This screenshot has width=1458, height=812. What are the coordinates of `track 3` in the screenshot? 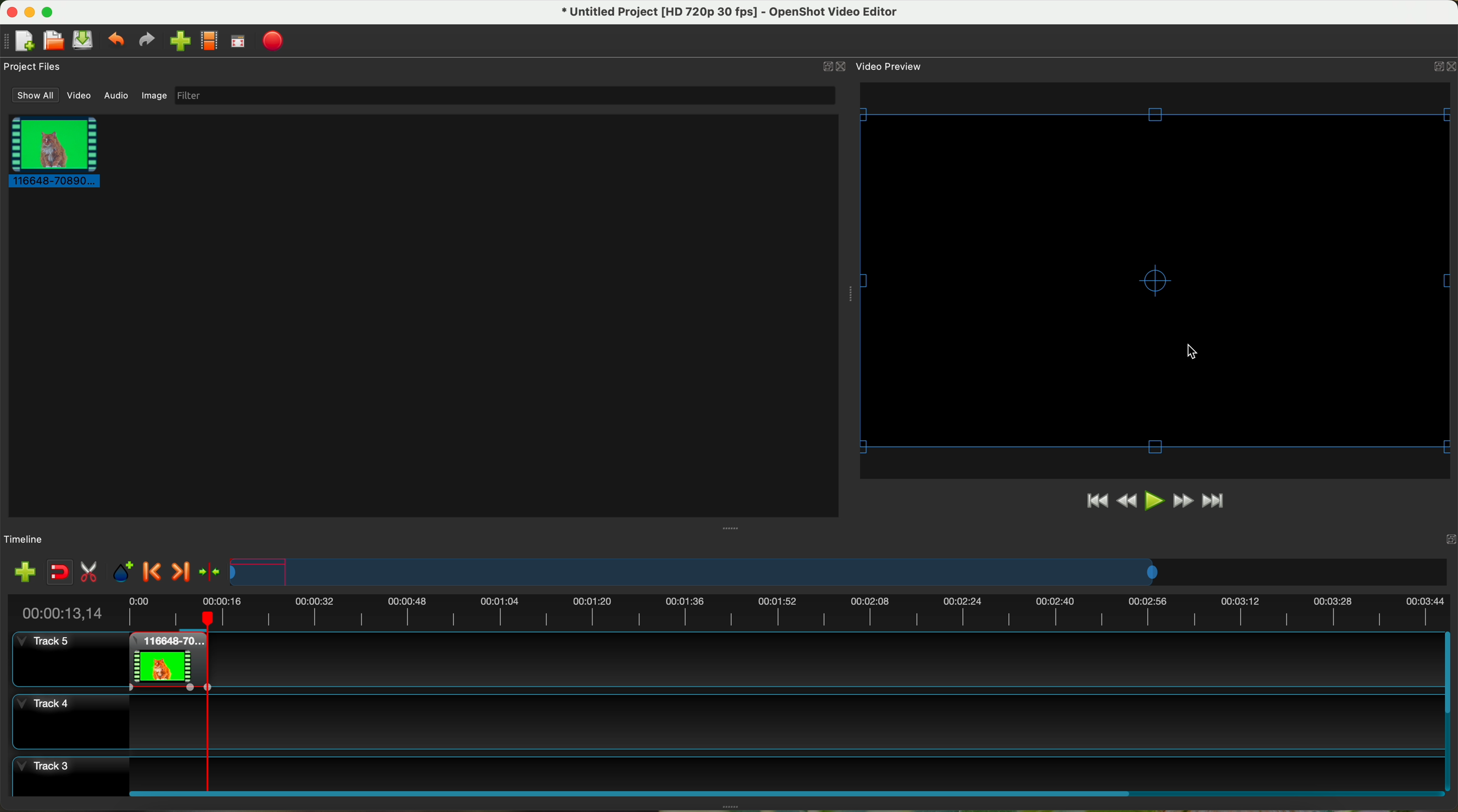 It's located at (726, 771).